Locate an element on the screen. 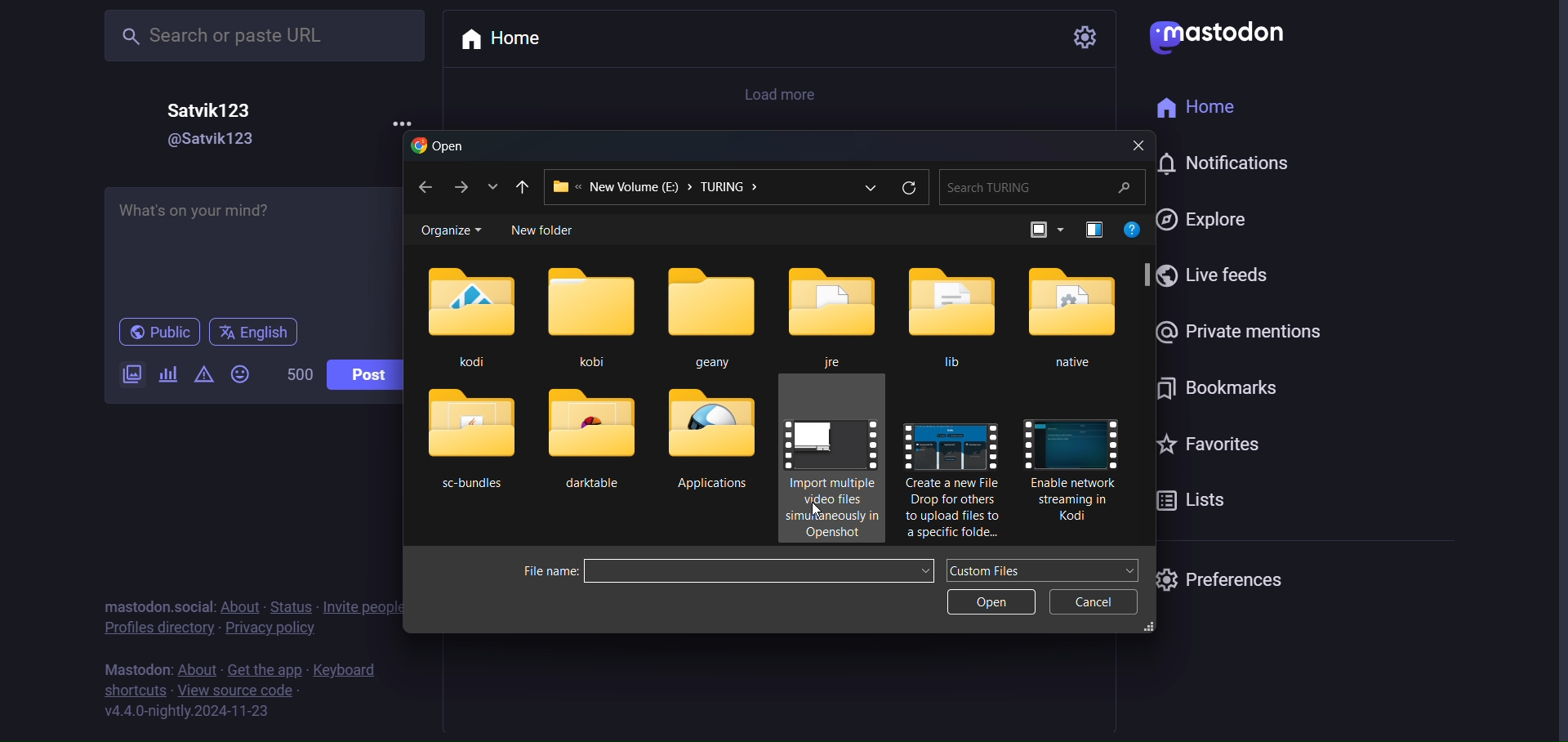 The height and width of the screenshot is (742, 1568). mastodon is located at coordinates (133, 606).